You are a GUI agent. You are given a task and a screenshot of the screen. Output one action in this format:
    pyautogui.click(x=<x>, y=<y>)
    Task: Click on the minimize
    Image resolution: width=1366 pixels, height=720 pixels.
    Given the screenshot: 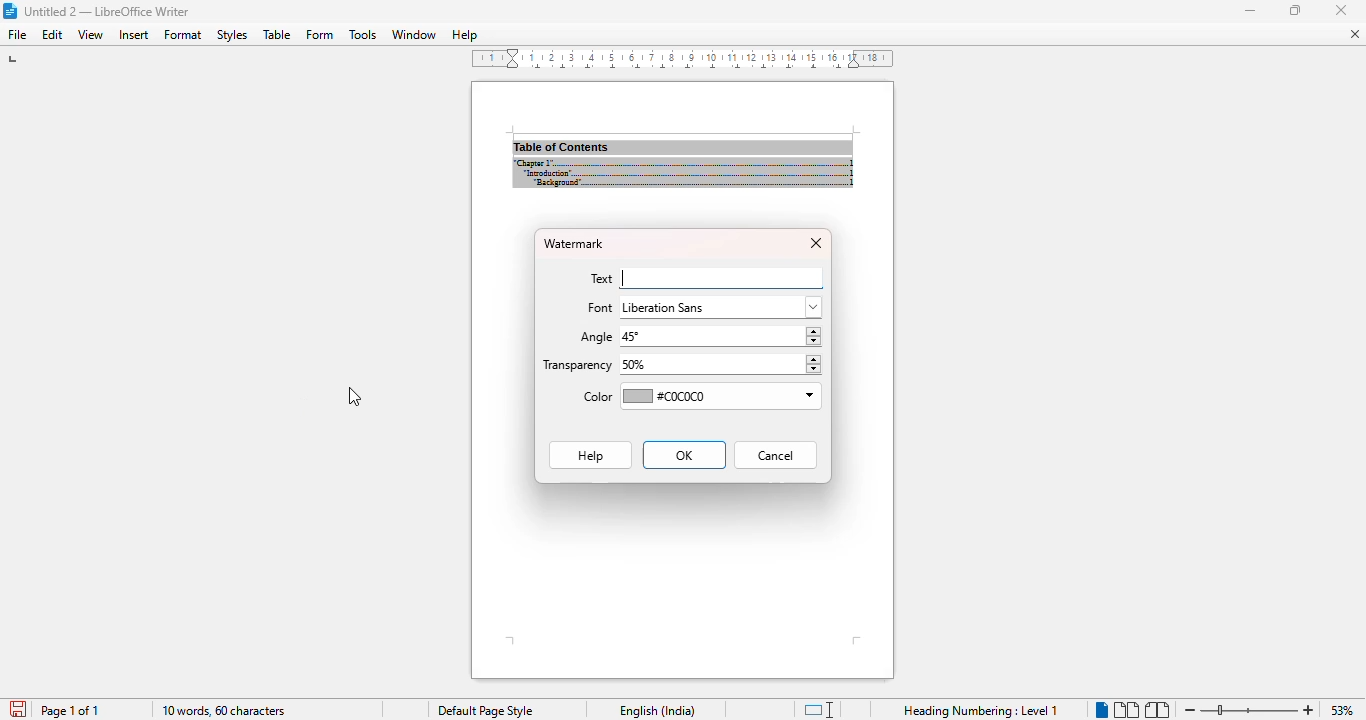 What is the action you would take?
    pyautogui.click(x=1251, y=10)
    